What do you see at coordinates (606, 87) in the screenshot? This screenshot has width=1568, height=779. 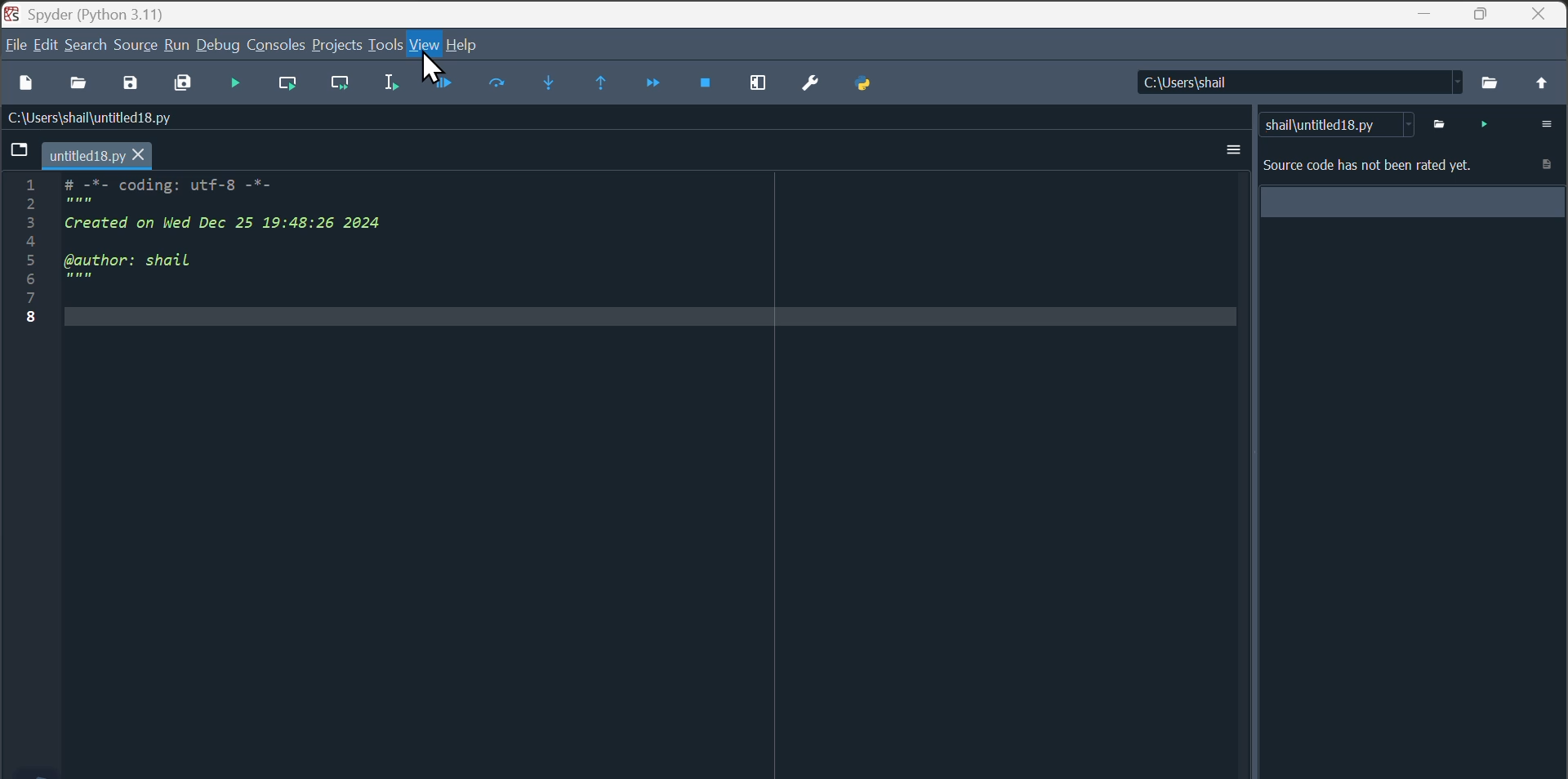 I see `Run untill current Function` at bounding box center [606, 87].